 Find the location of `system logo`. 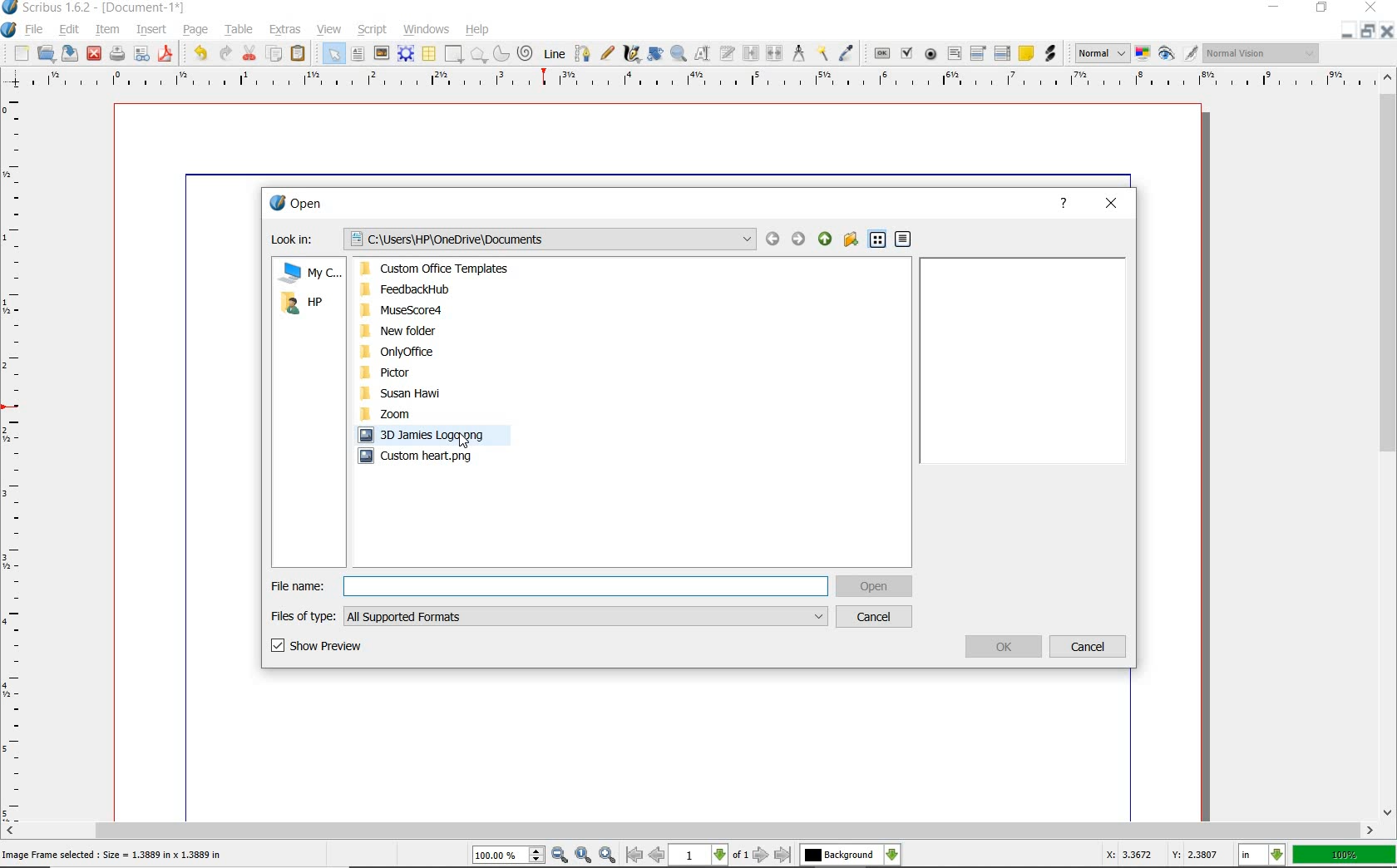

system logo is located at coordinates (8, 29).